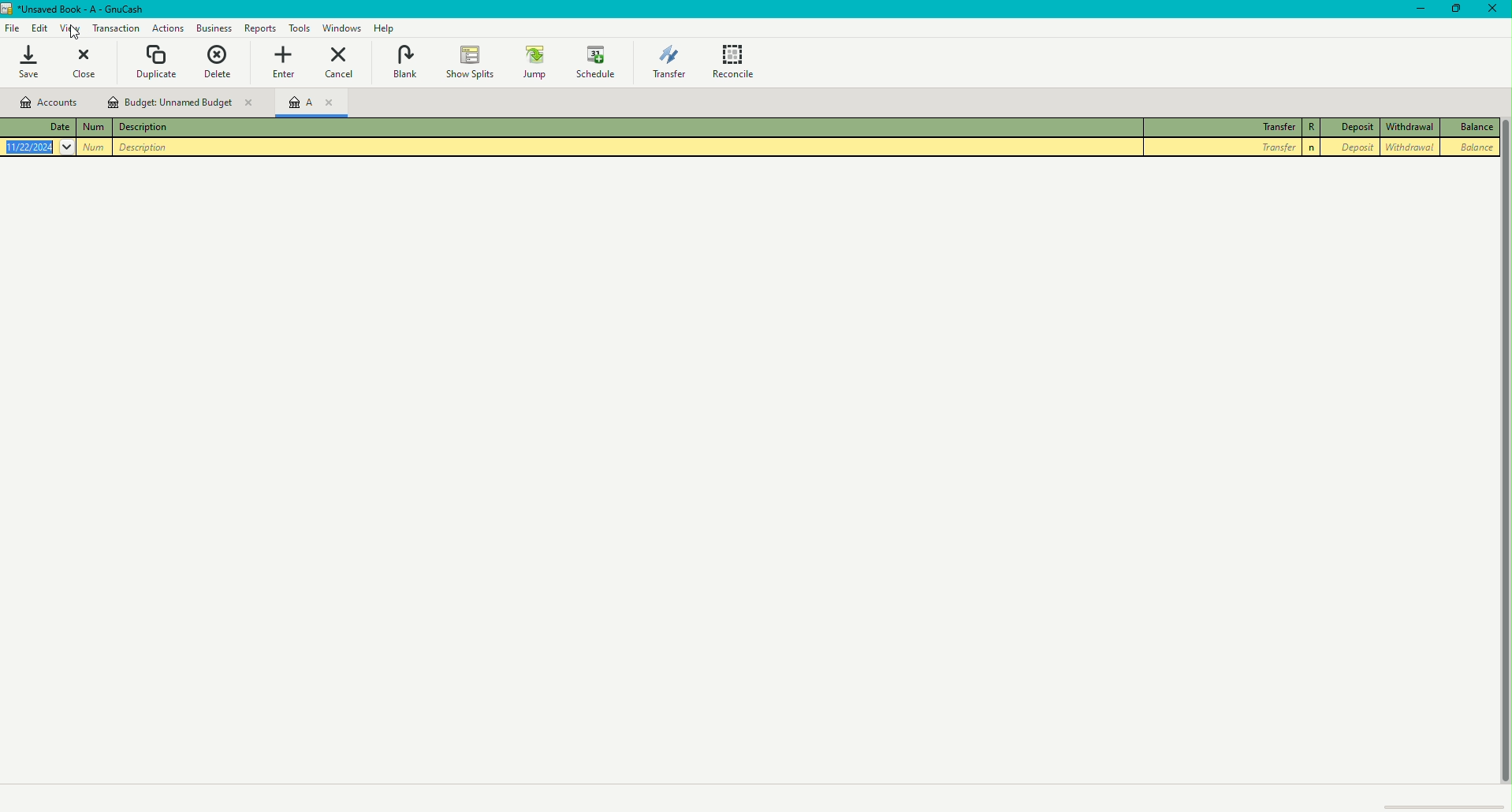 This screenshot has height=812, width=1512. What do you see at coordinates (468, 63) in the screenshot?
I see `Show Splits` at bounding box center [468, 63].